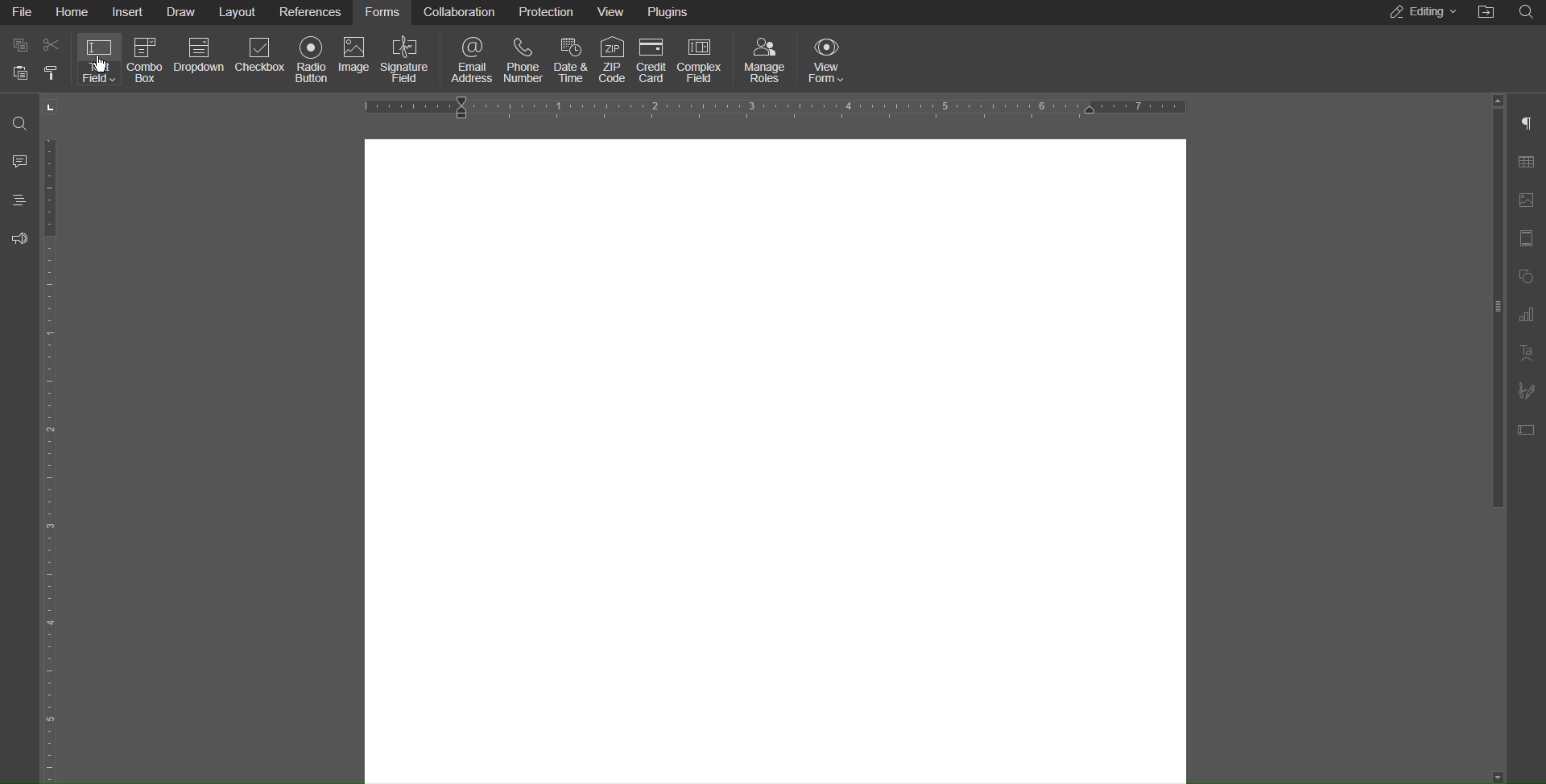  Describe the element at coordinates (653, 59) in the screenshot. I see `Credit Card` at that location.